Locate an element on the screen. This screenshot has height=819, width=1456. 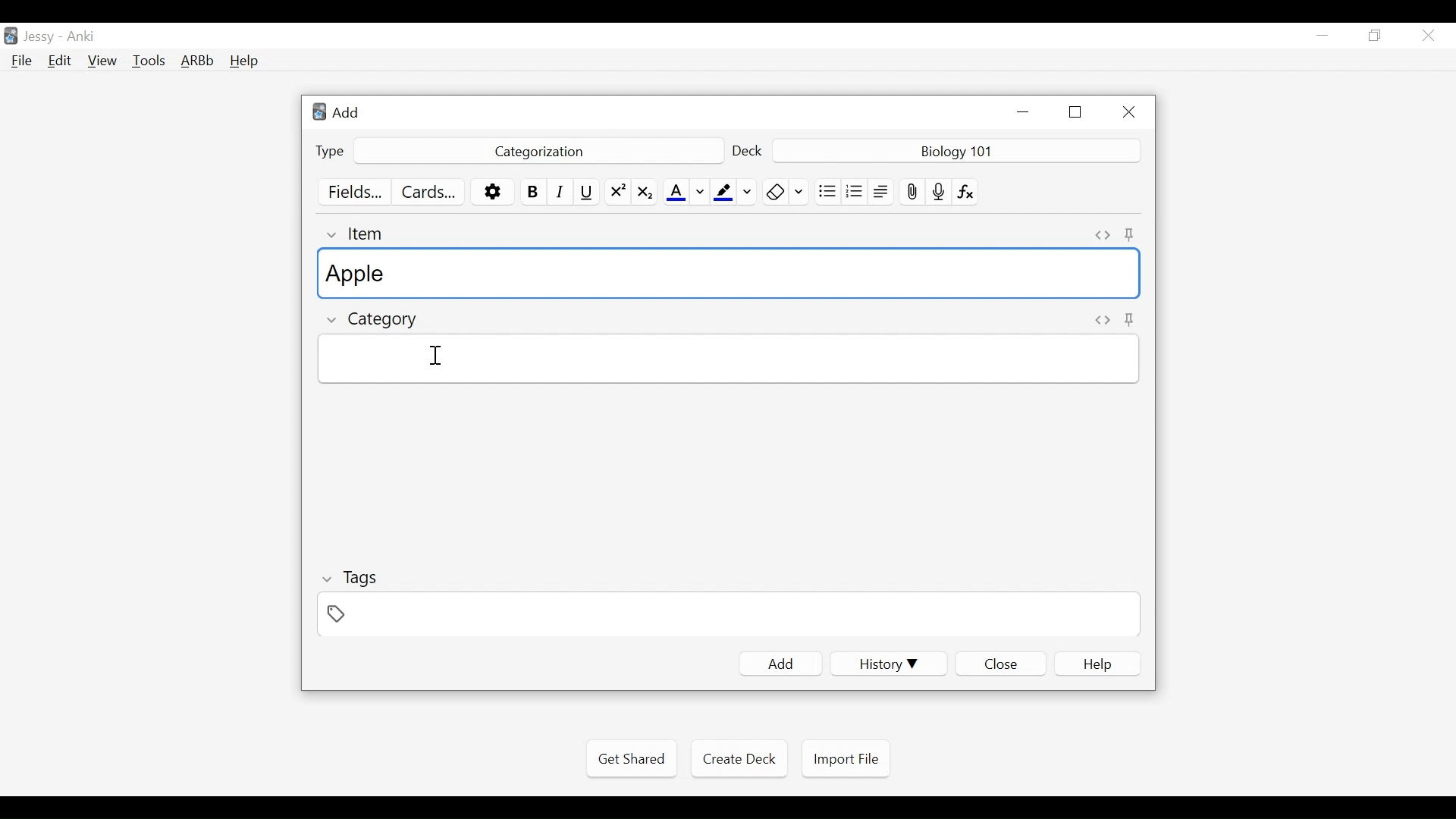
Advanced Review Button bar is located at coordinates (198, 61).